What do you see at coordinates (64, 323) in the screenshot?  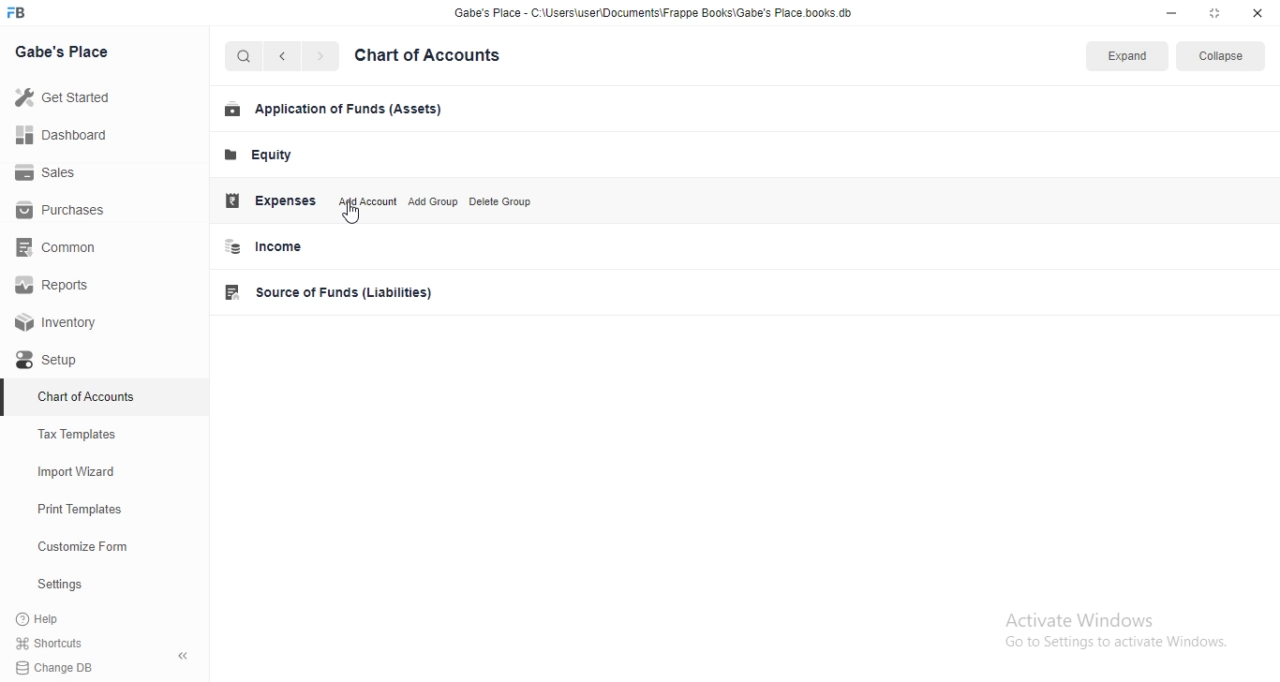 I see `Inventory` at bounding box center [64, 323].